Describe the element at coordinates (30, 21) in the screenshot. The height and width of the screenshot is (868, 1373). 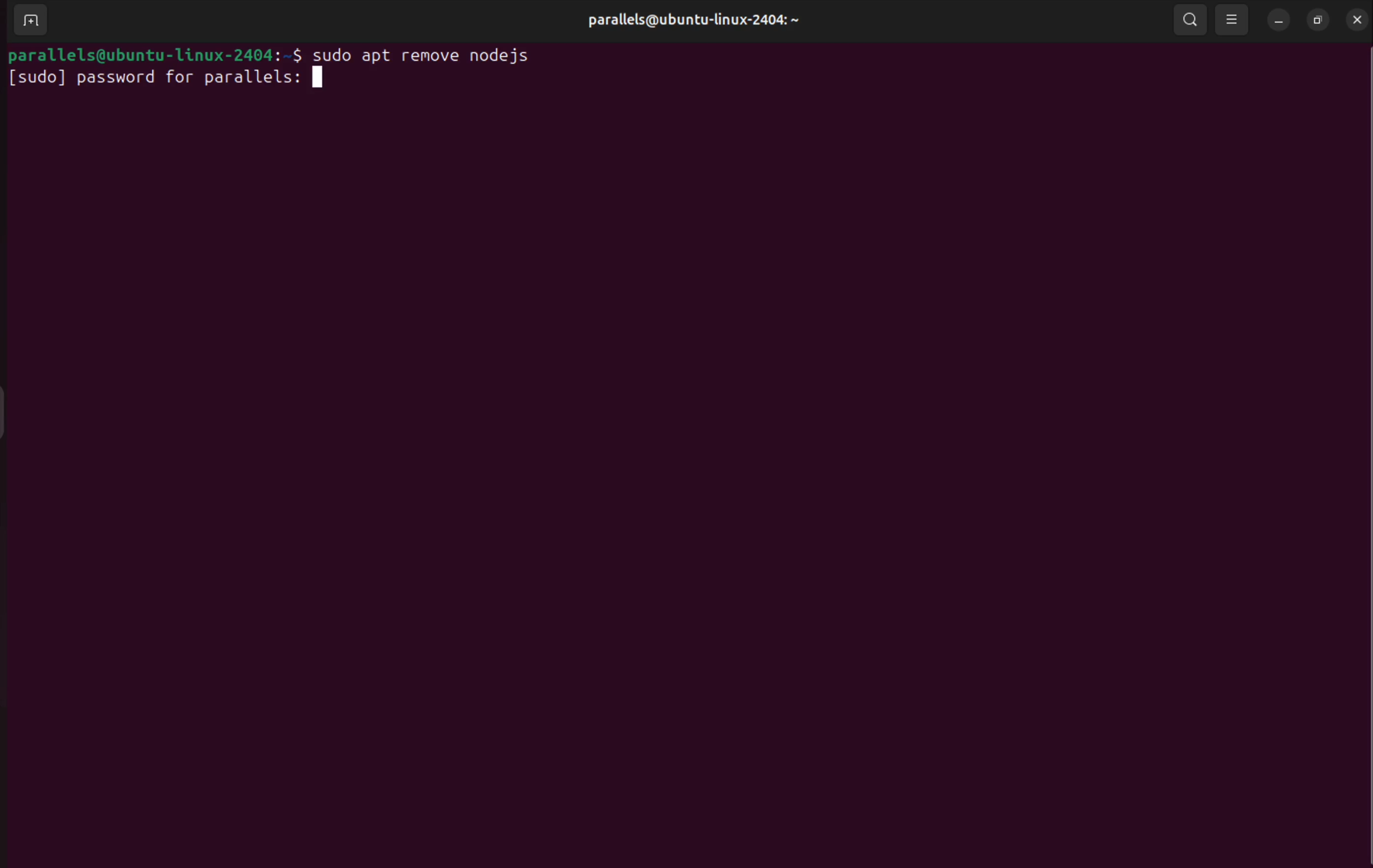
I see `add terminal` at that location.